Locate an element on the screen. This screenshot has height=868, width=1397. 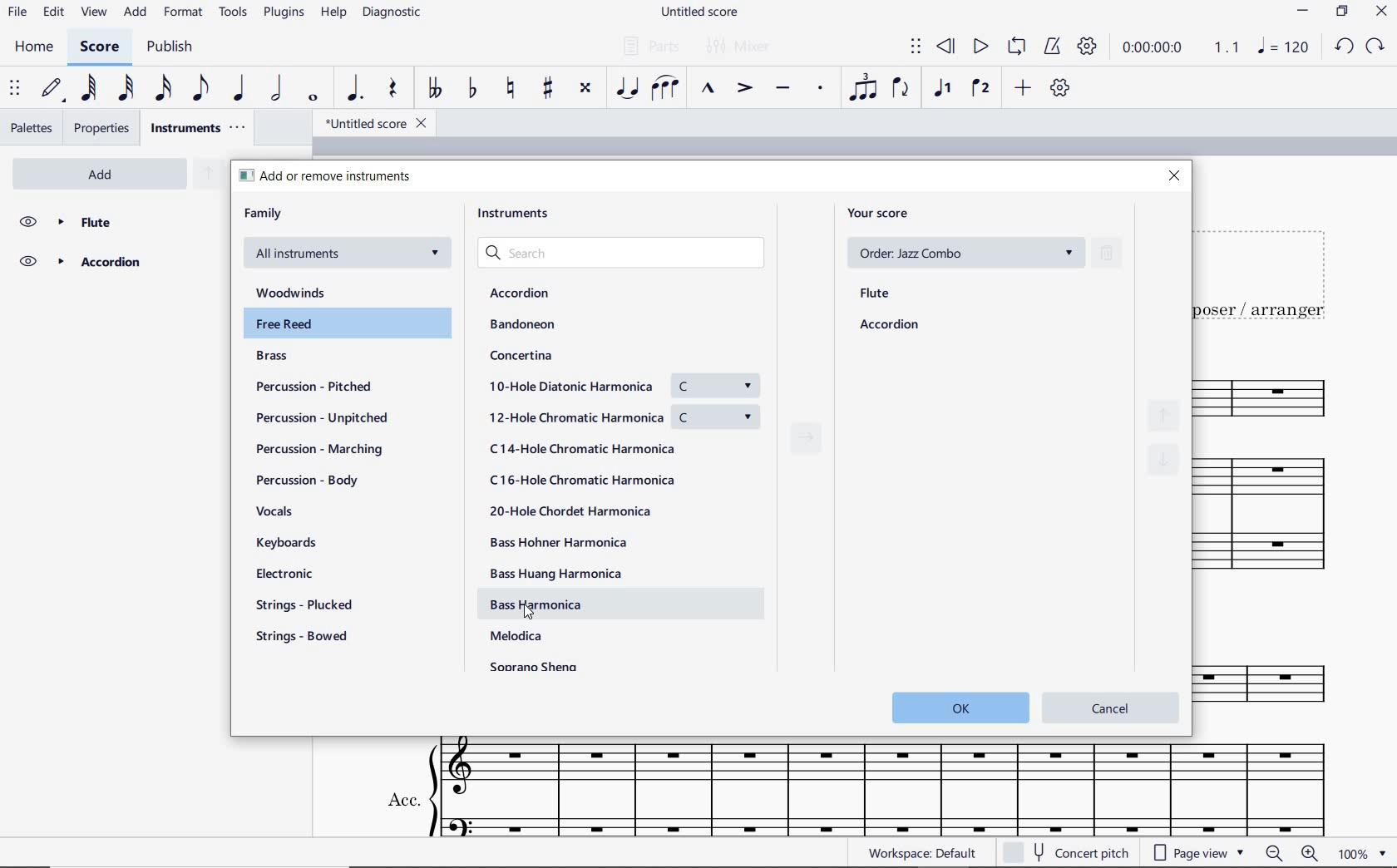
vocals is located at coordinates (308, 510).